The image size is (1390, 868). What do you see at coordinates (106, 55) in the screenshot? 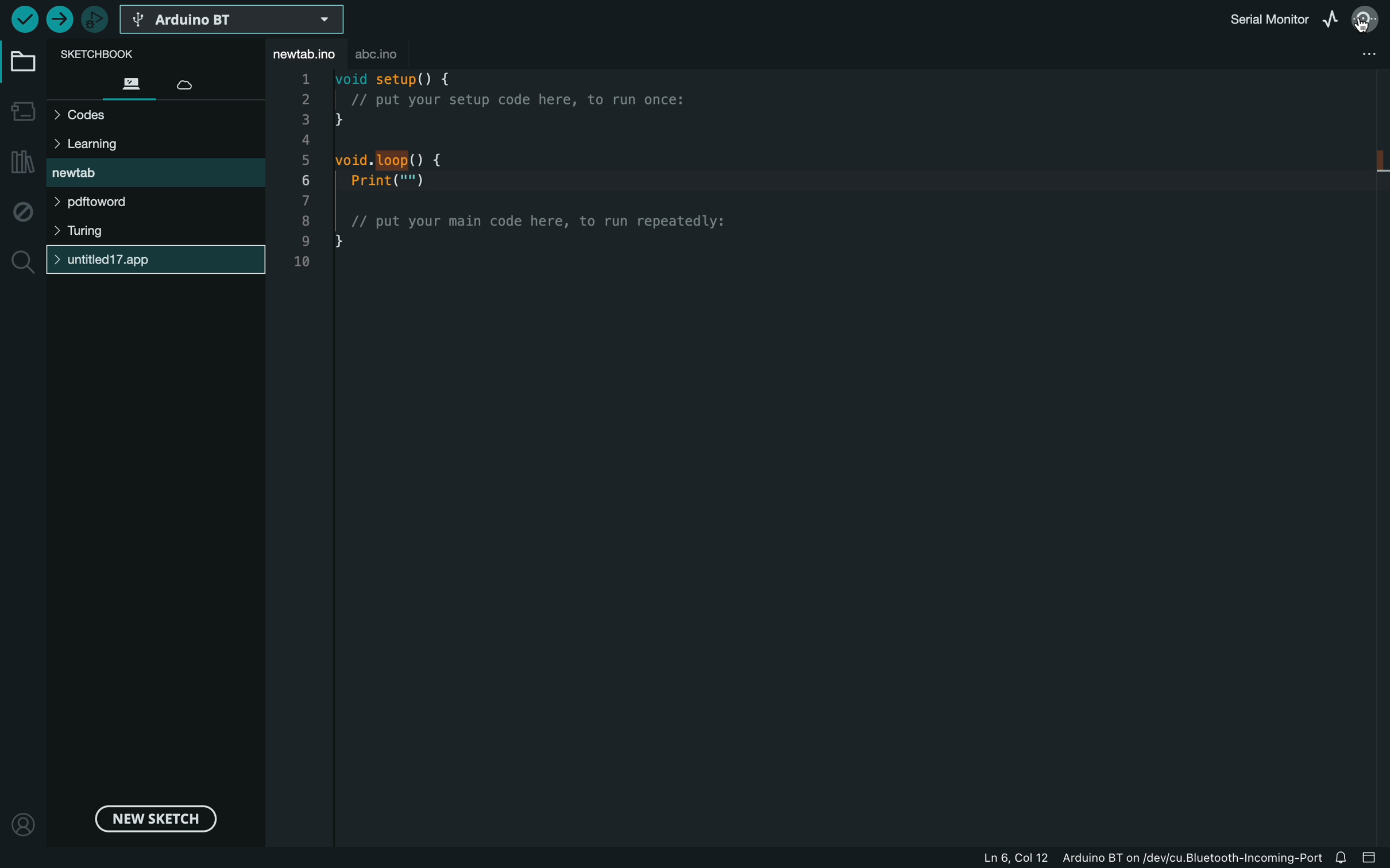
I see `sketchbook` at bounding box center [106, 55].